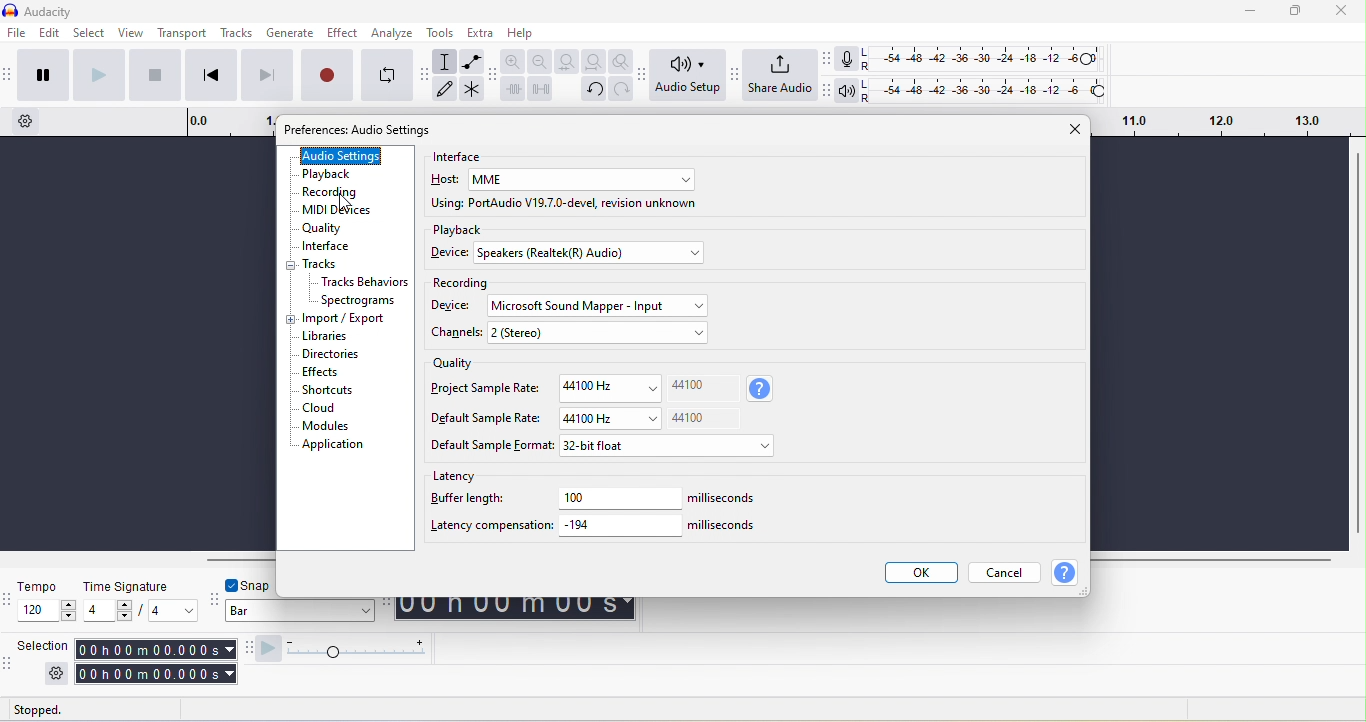  Describe the element at coordinates (449, 253) in the screenshot. I see `device` at that location.